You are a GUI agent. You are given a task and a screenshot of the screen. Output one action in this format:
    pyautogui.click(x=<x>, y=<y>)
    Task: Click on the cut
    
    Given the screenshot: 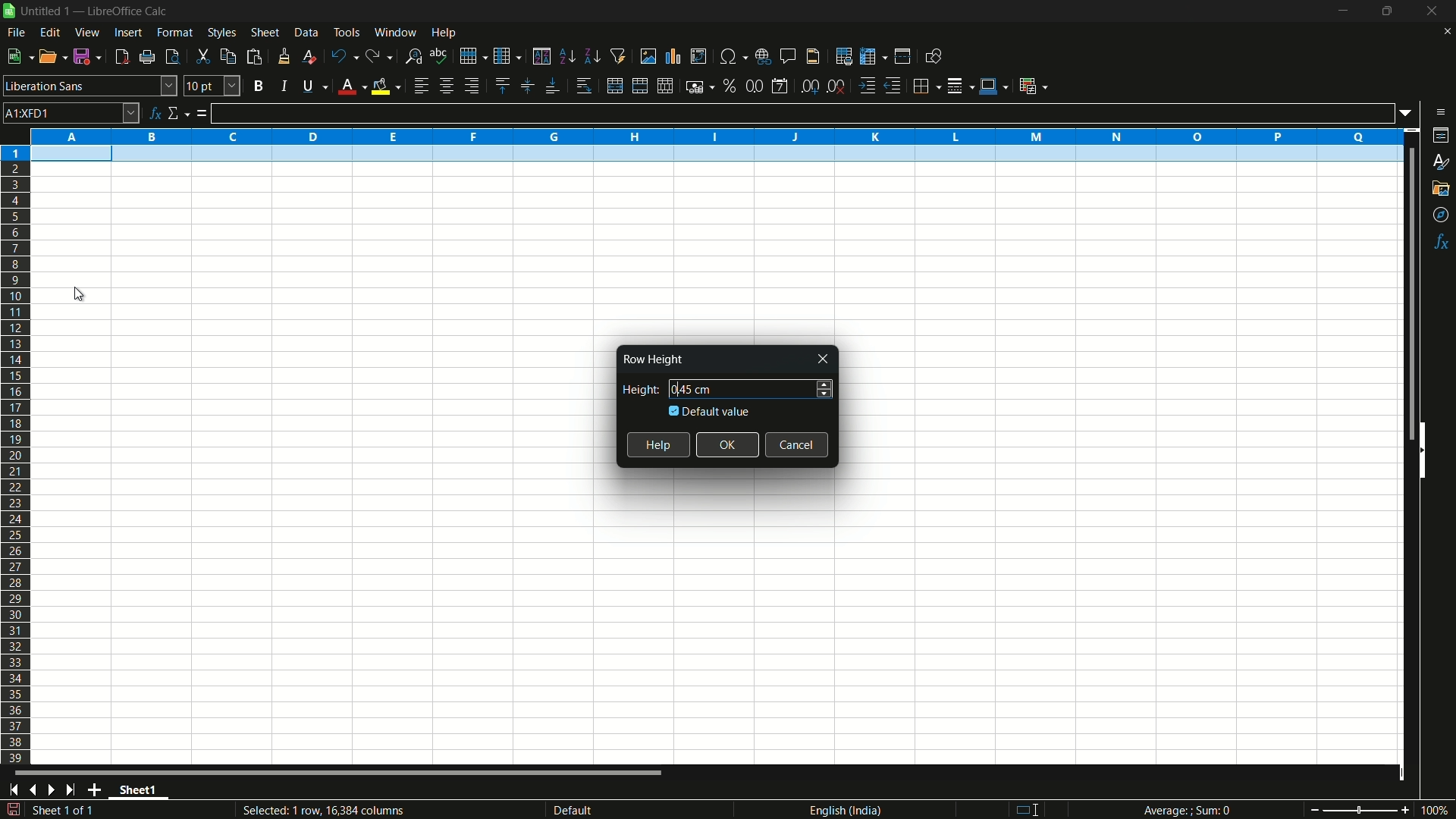 What is the action you would take?
    pyautogui.click(x=202, y=56)
    